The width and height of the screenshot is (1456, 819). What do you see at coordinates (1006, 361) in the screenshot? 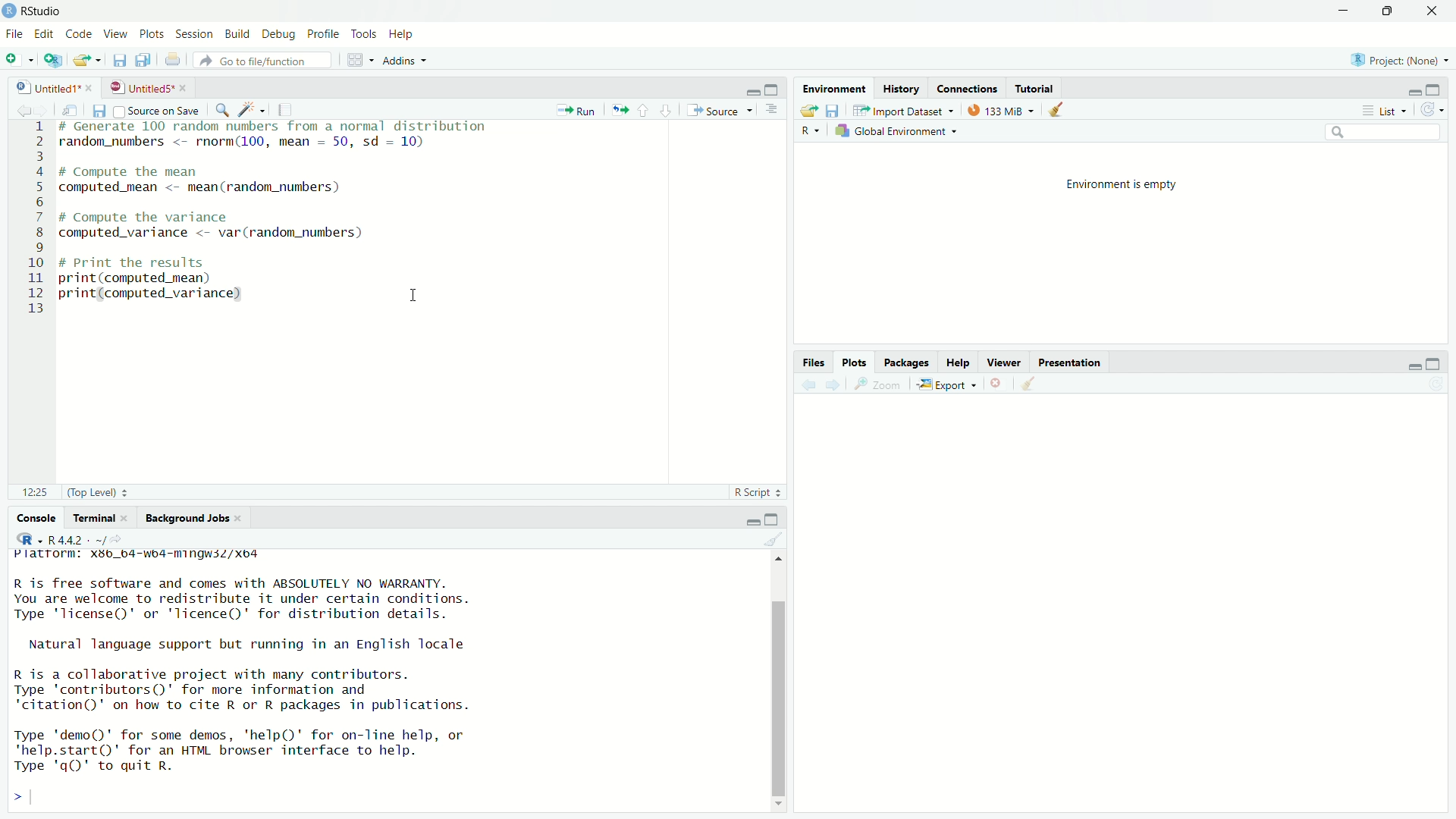
I see `viewer` at bounding box center [1006, 361].